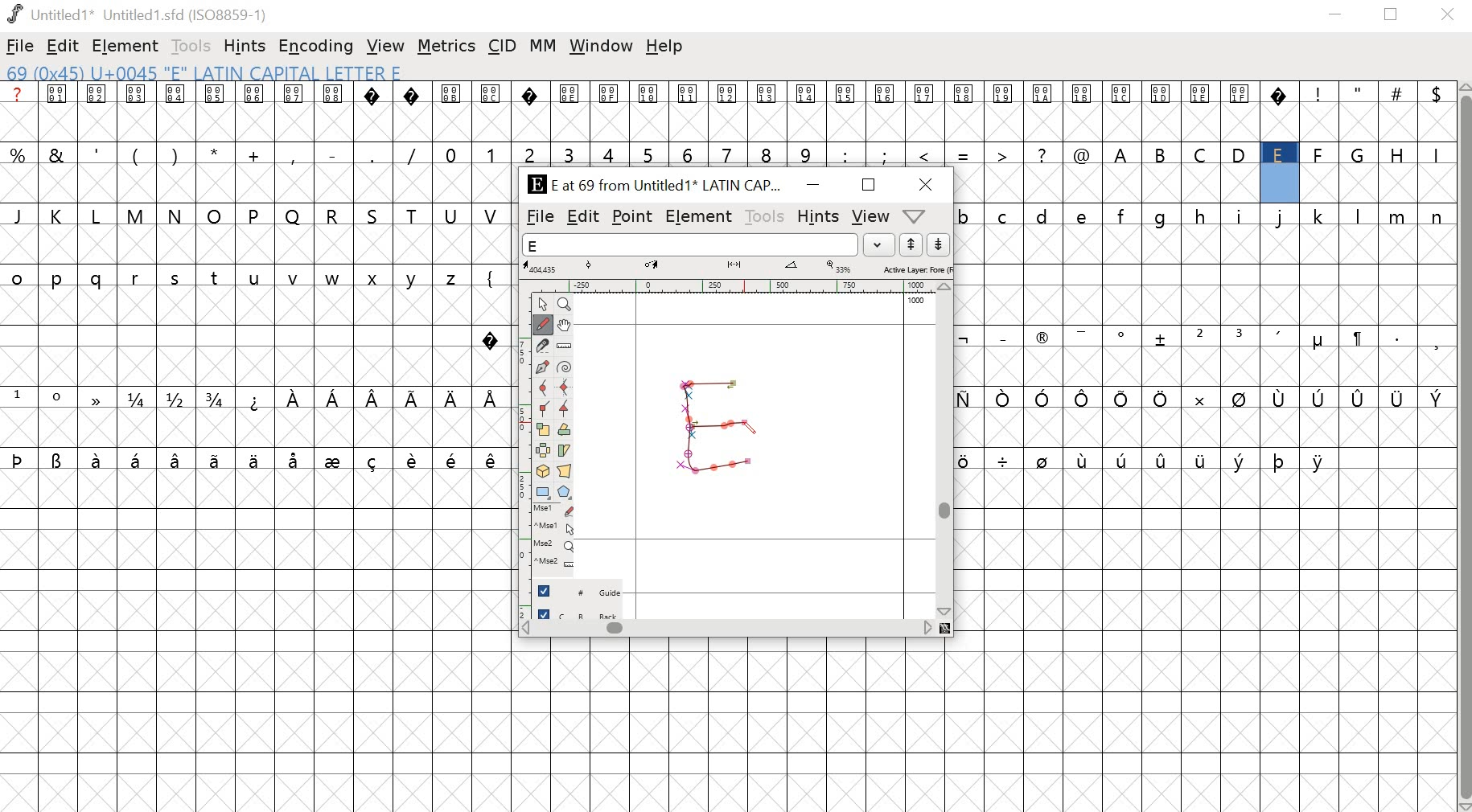 The image size is (1472, 812). What do you see at coordinates (565, 388) in the screenshot?
I see `HV Curve` at bounding box center [565, 388].